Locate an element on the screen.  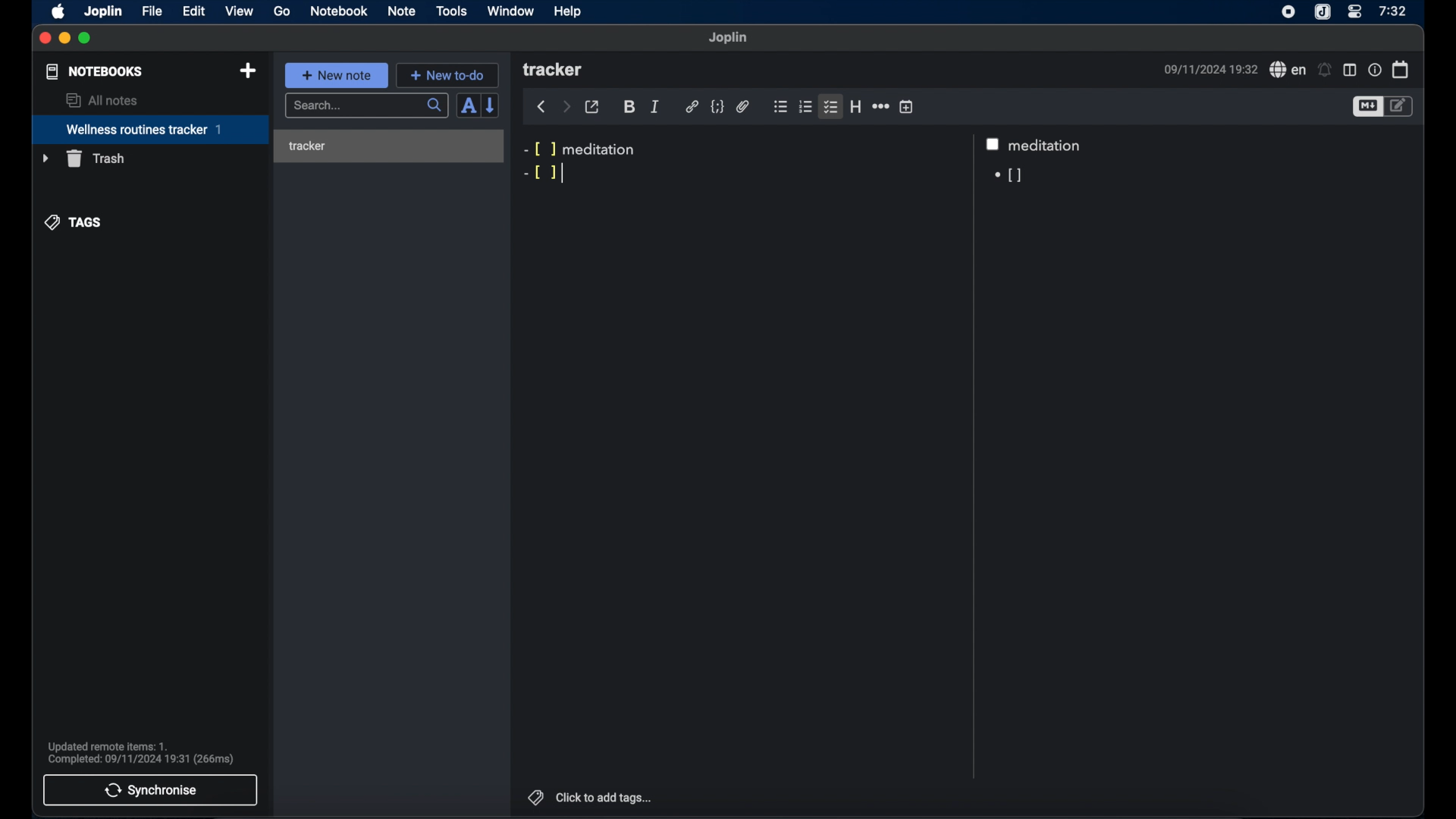
reverse sort order is located at coordinates (491, 105).